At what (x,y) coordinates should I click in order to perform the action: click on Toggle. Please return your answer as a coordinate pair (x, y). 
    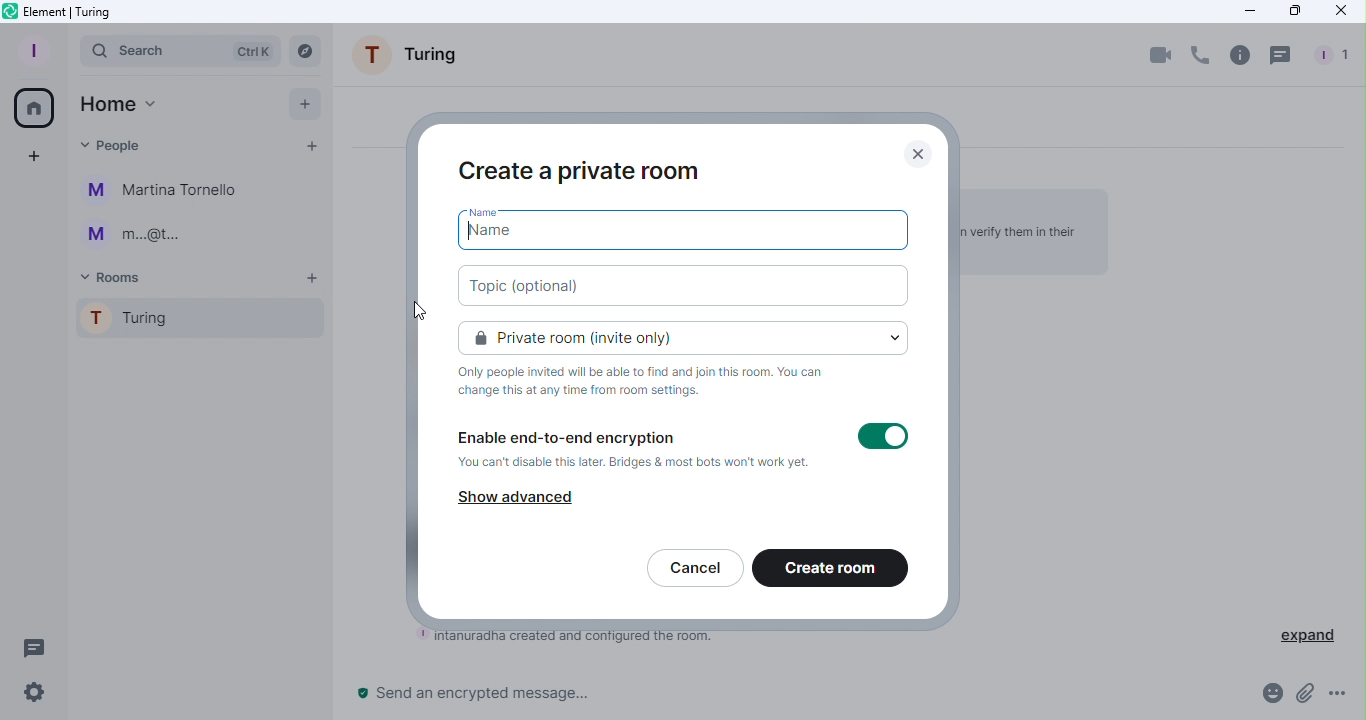
    Looking at the image, I should click on (883, 438).